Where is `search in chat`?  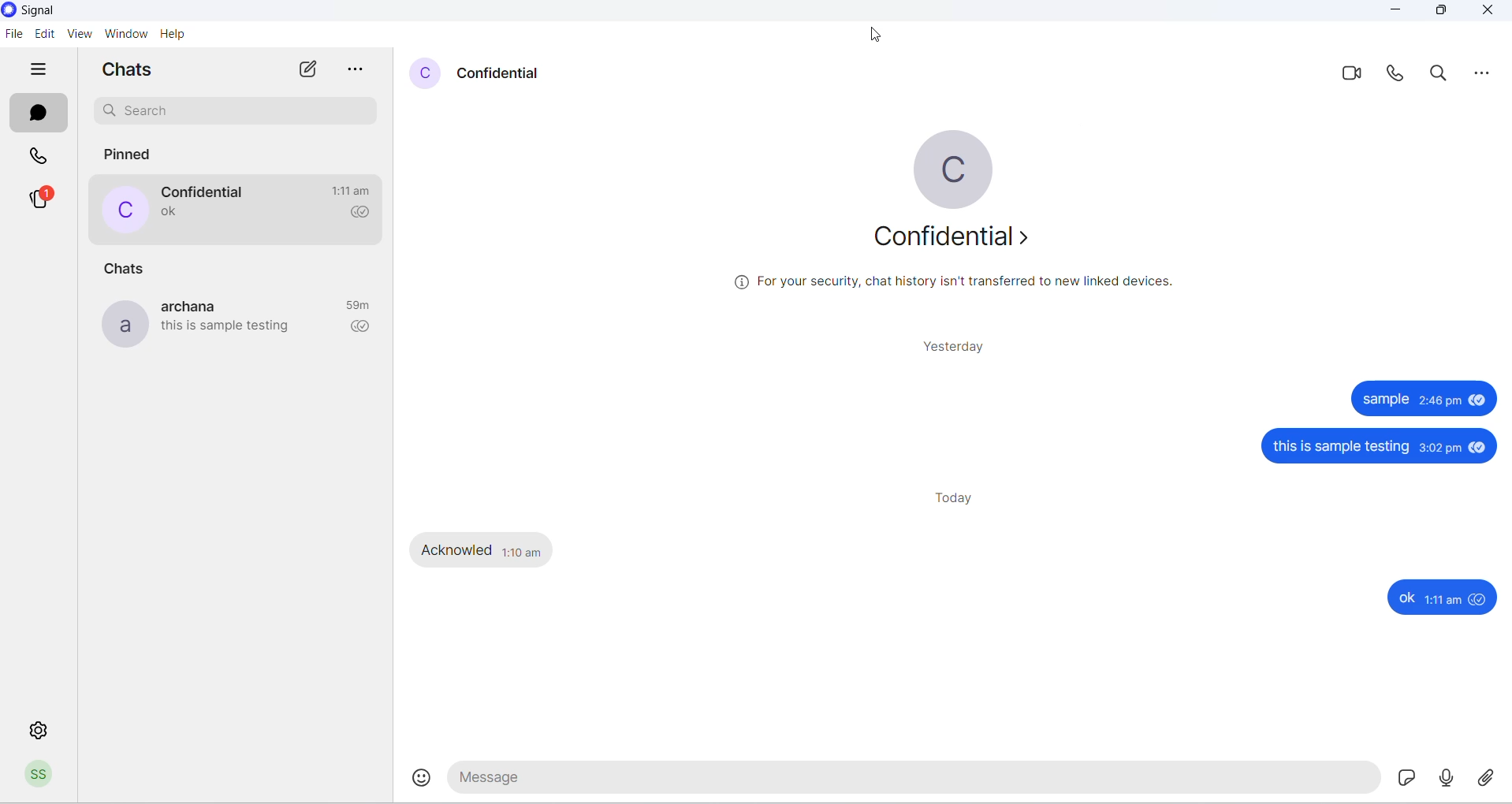
search in chat is located at coordinates (1439, 75).